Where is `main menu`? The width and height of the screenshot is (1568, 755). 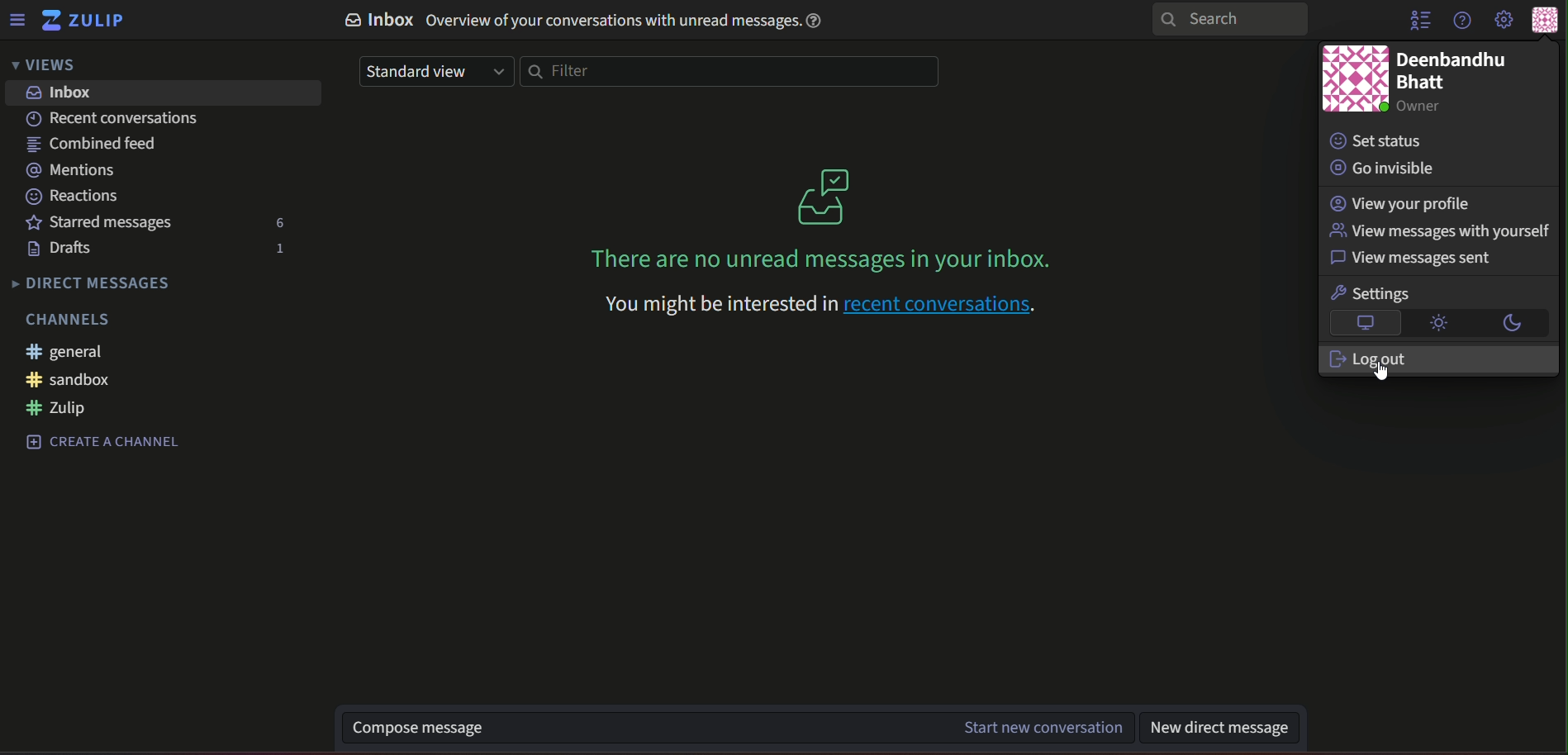 main menu is located at coordinates (1503, 21).